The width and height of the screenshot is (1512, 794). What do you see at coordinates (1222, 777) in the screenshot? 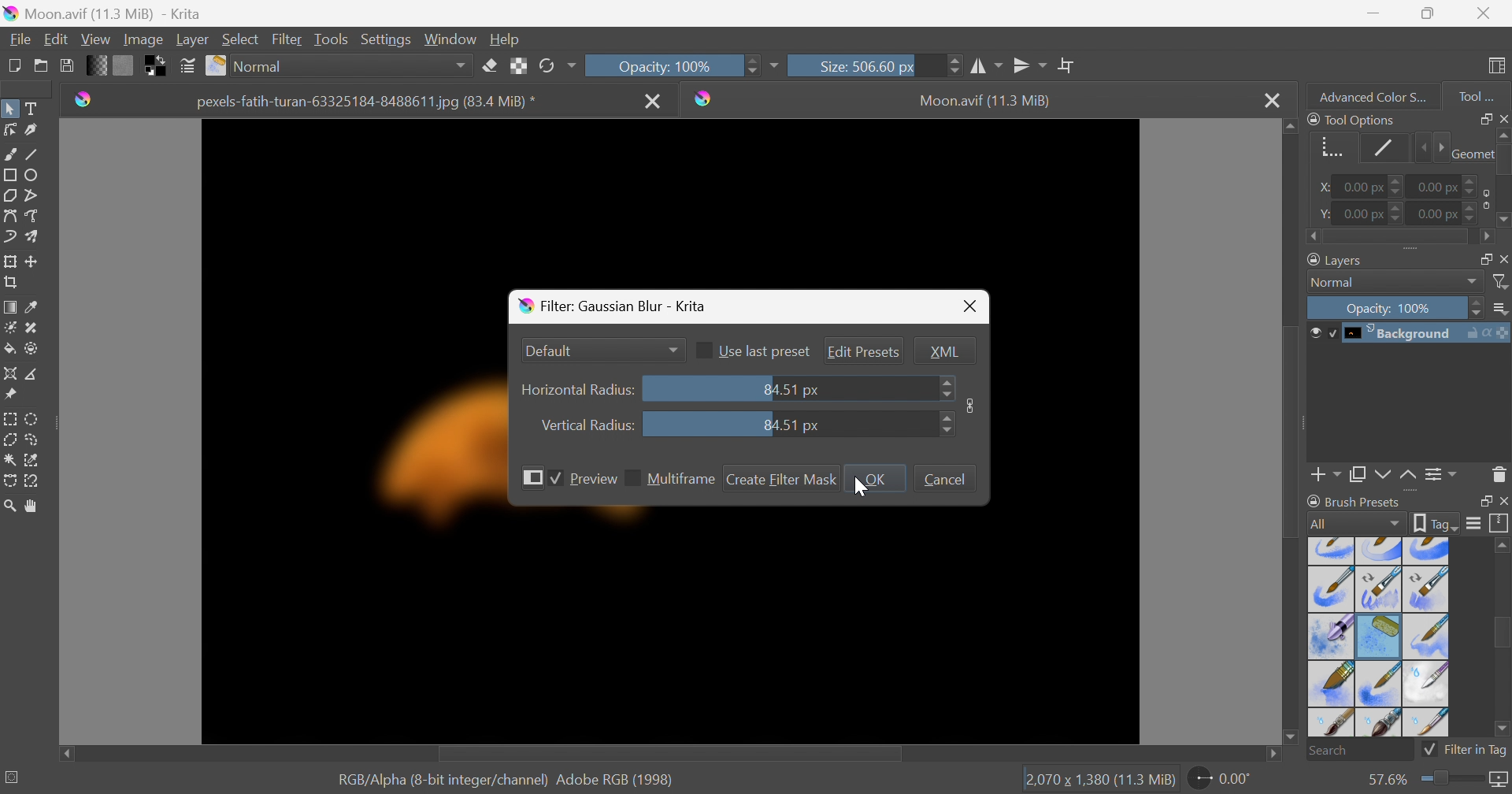
I see `0.00°` at bounding box center [1222, 777].